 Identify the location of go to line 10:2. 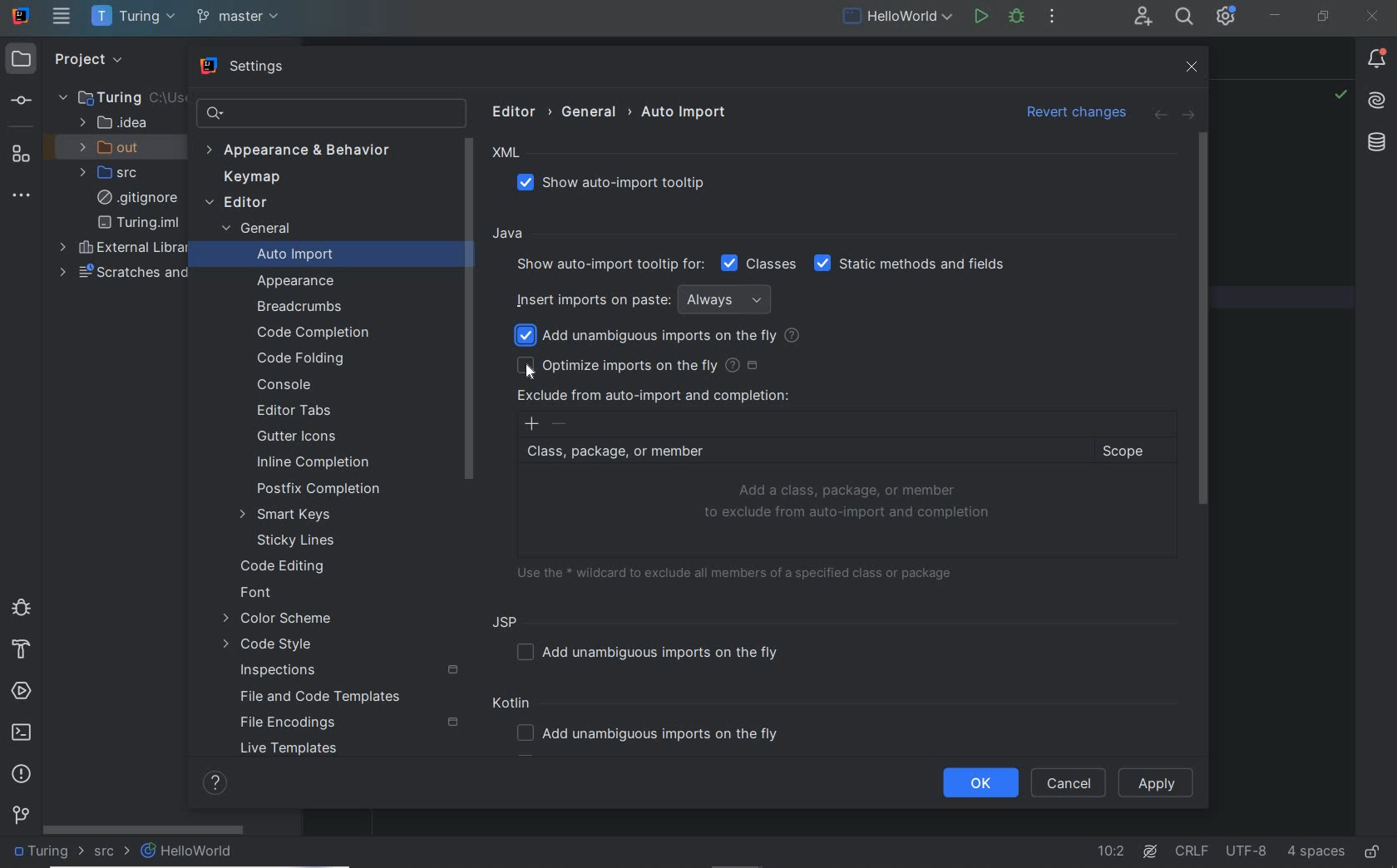
(1111, 851).